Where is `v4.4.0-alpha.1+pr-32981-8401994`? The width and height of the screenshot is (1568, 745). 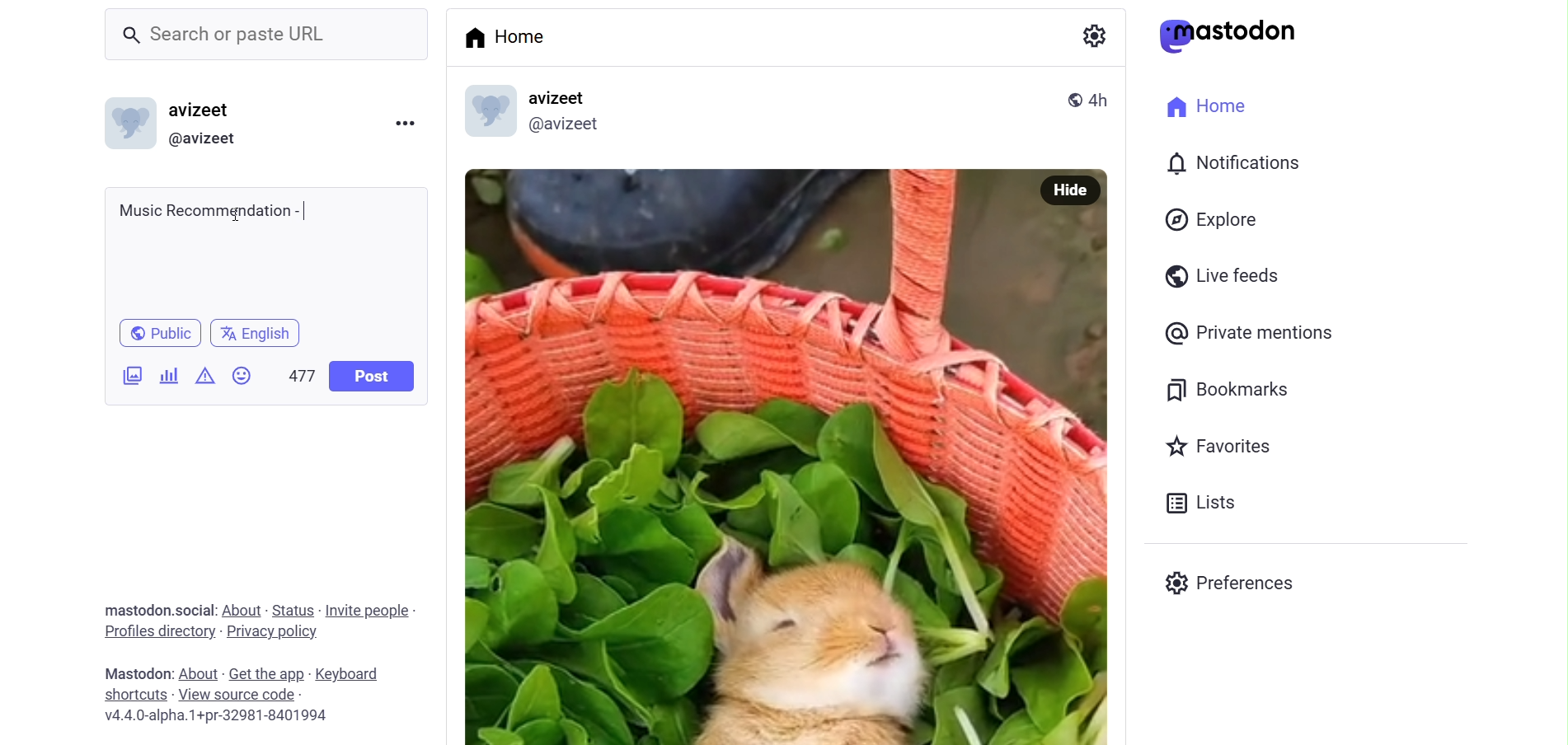 v4.4.0-alpha.1+pr-32981-8401994 is located at coordinates (206, 715).